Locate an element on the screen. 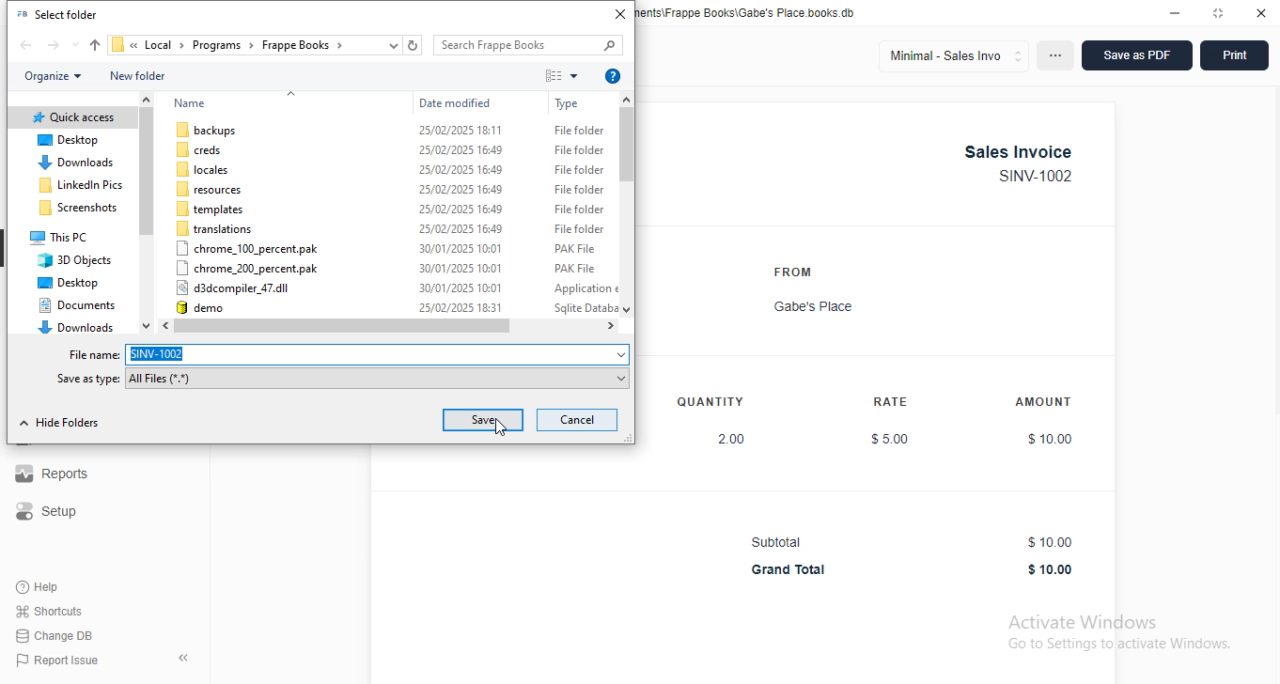  drop down is located at coordinates (252, 45).